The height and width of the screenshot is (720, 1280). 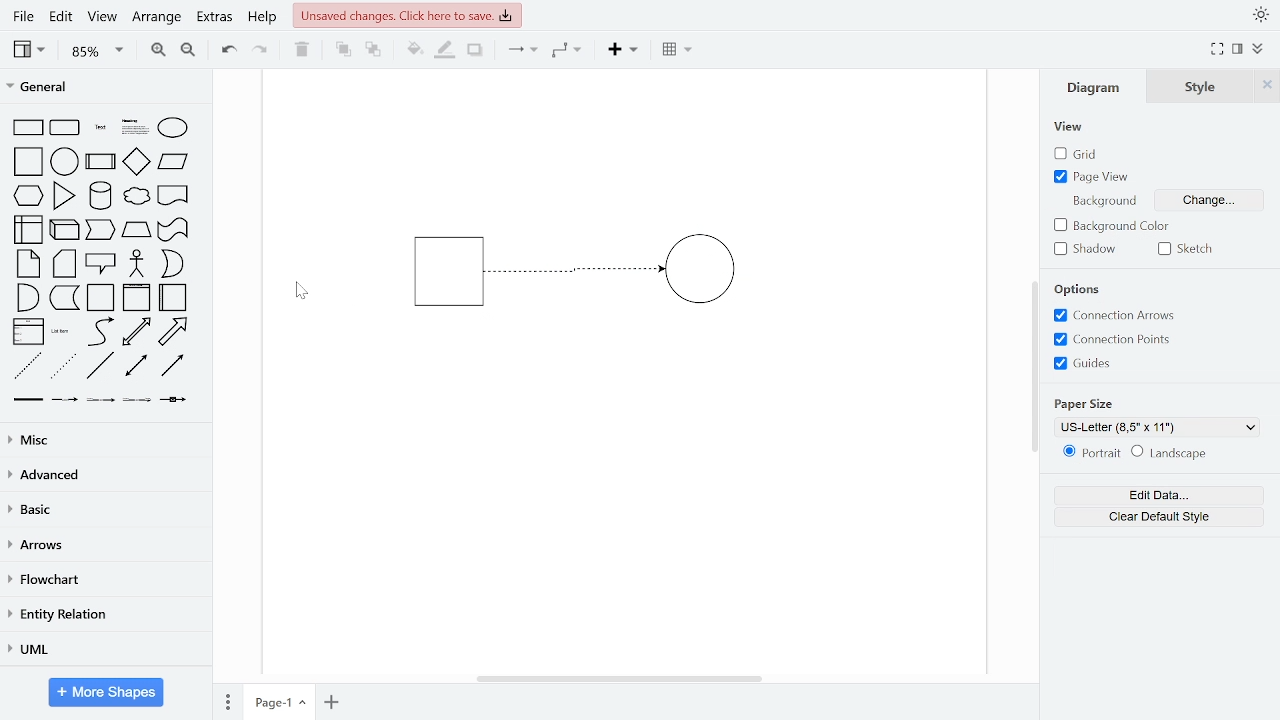 What do you see at coordinates (1069, 126) in the screenshot?
I see `view` at bounding box center [1069, 126].